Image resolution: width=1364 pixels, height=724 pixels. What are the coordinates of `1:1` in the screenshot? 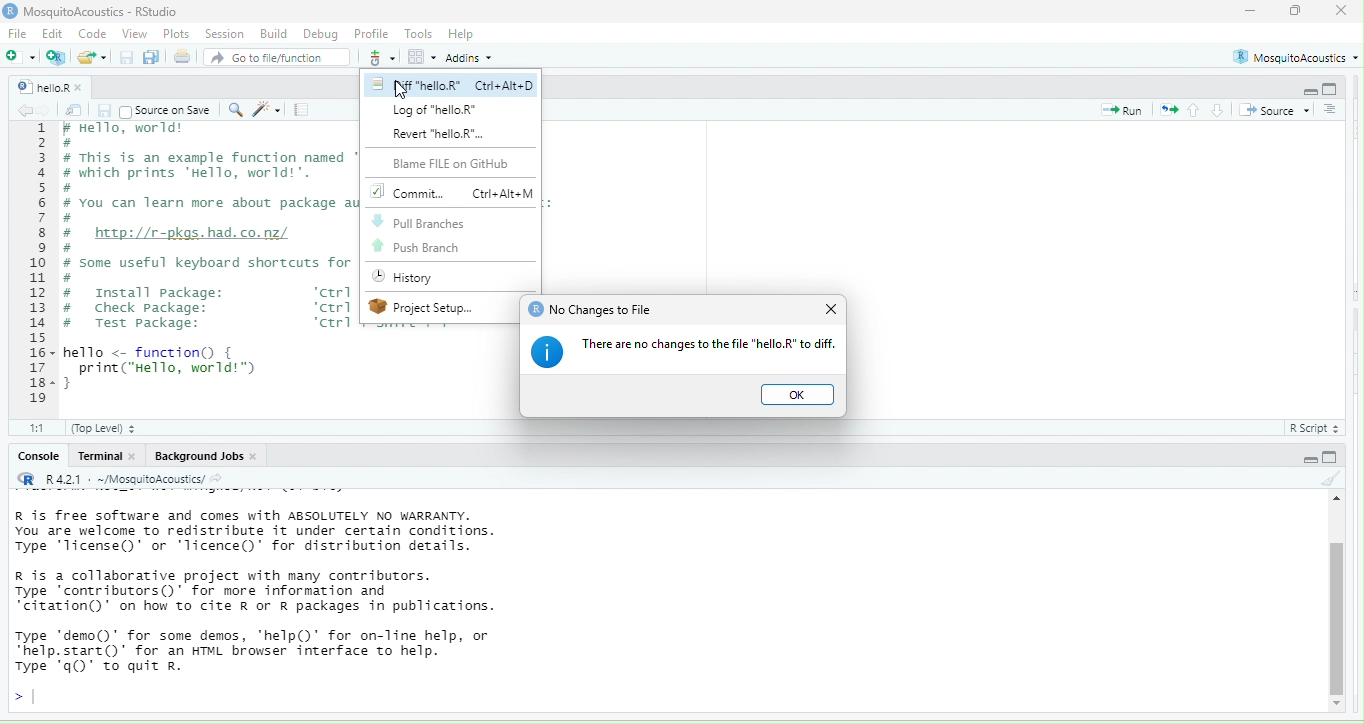 It's located at (41, 430).